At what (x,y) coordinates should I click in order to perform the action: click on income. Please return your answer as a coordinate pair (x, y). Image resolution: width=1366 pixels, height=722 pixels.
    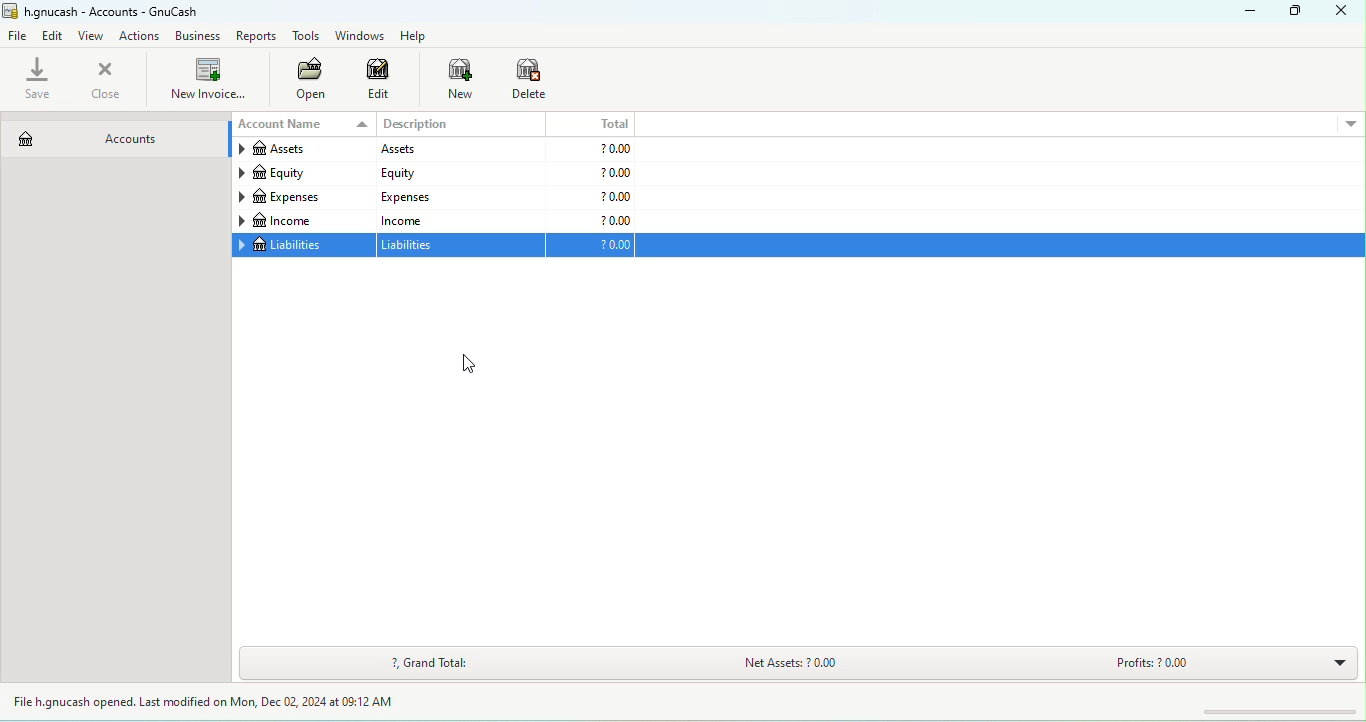
    Looking at the image, I should click on (302, 221).